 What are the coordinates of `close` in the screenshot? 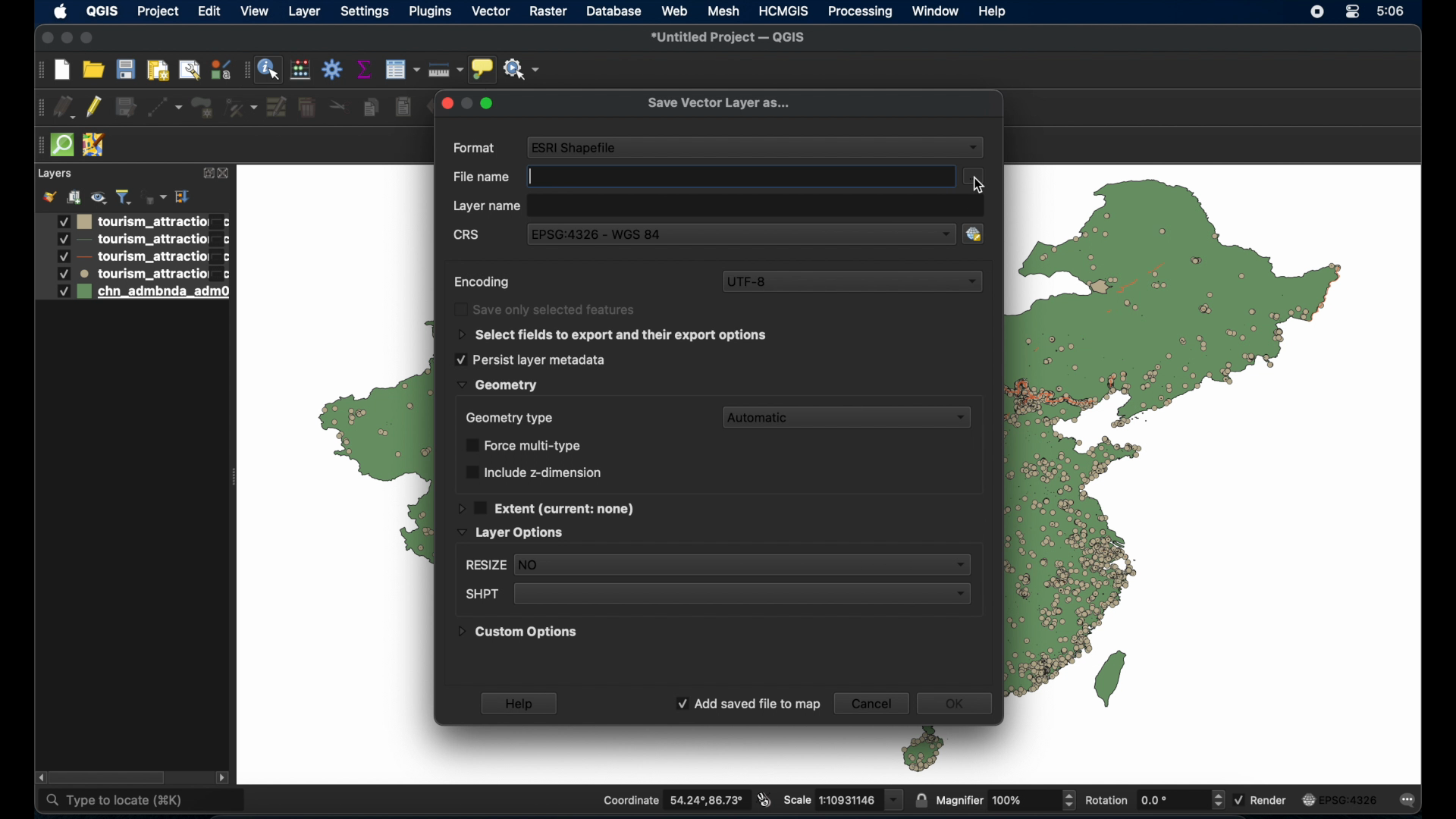 It's located at (45, 38).